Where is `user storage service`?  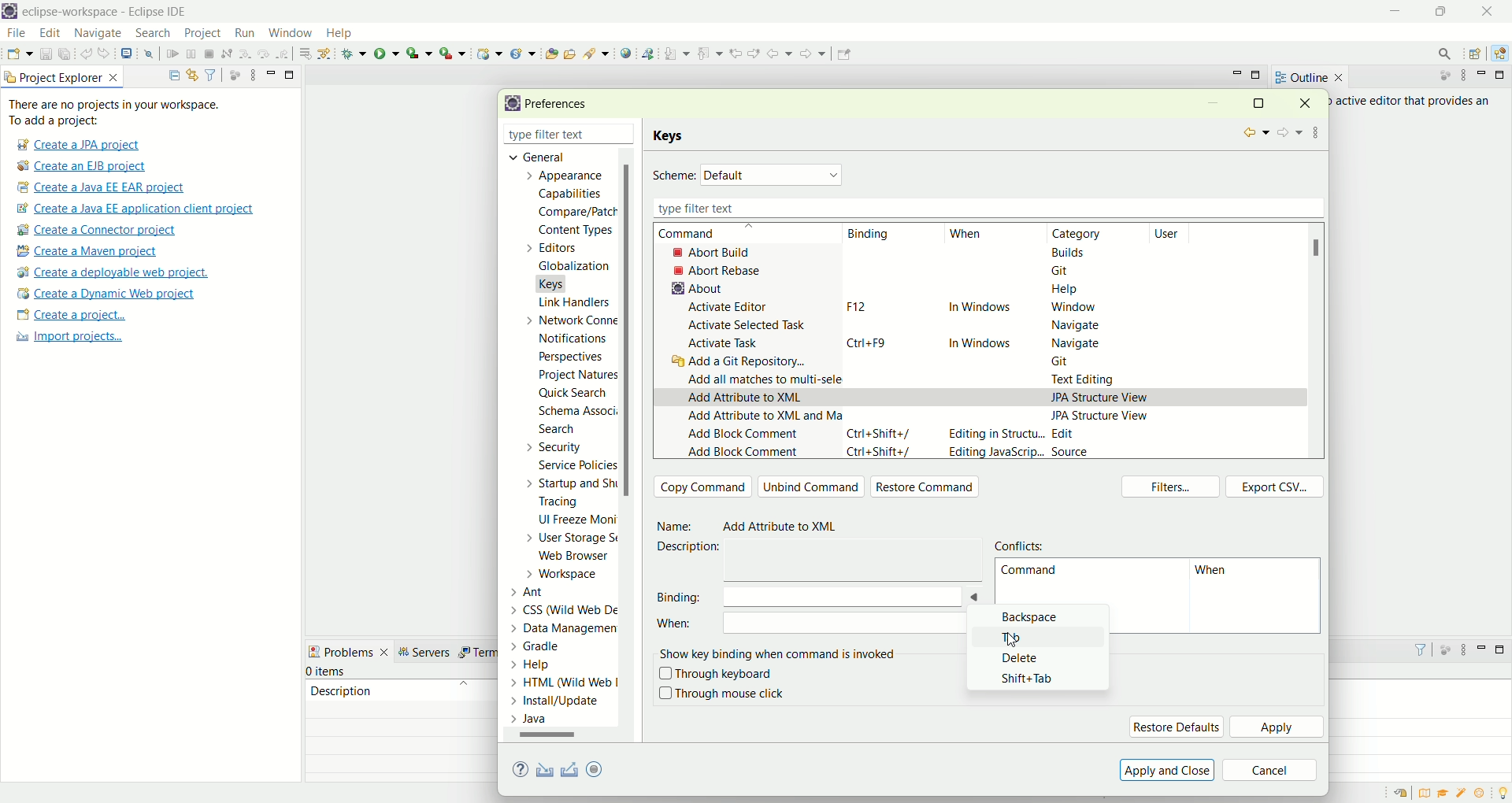
user storage service is located at coordinates (573, 540).